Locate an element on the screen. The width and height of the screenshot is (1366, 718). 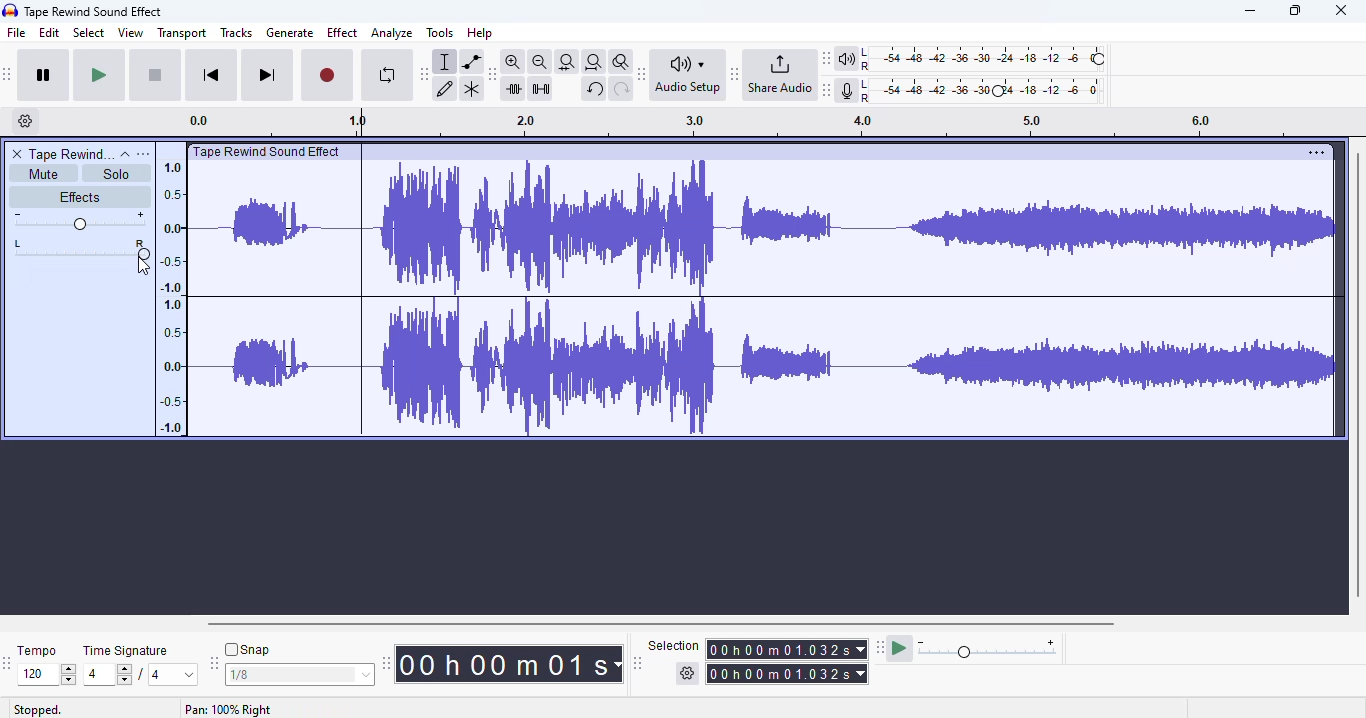
1/8 is located at coordinates (298, 675).